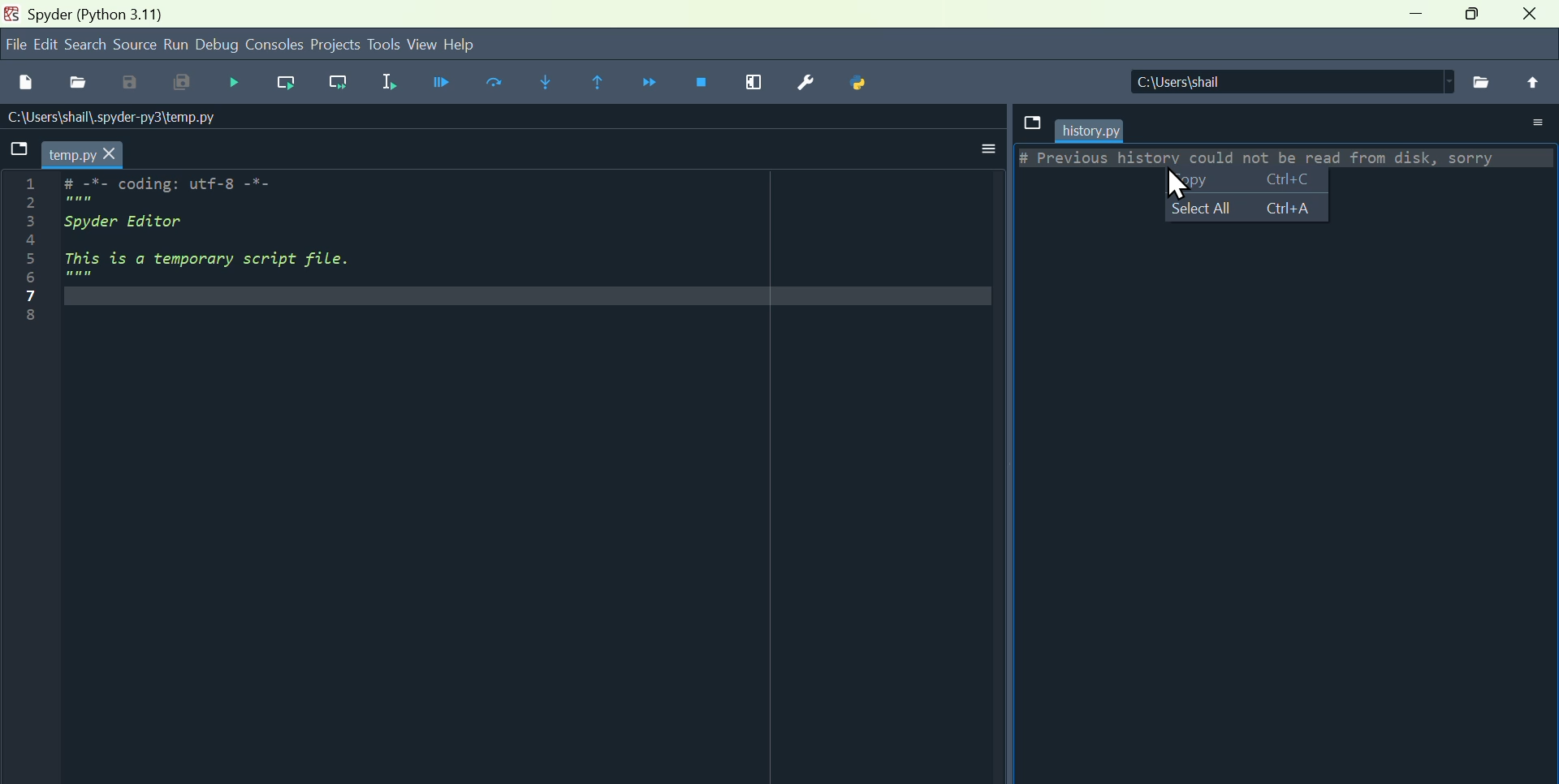  I want to click on Open file, so click(80, 84).